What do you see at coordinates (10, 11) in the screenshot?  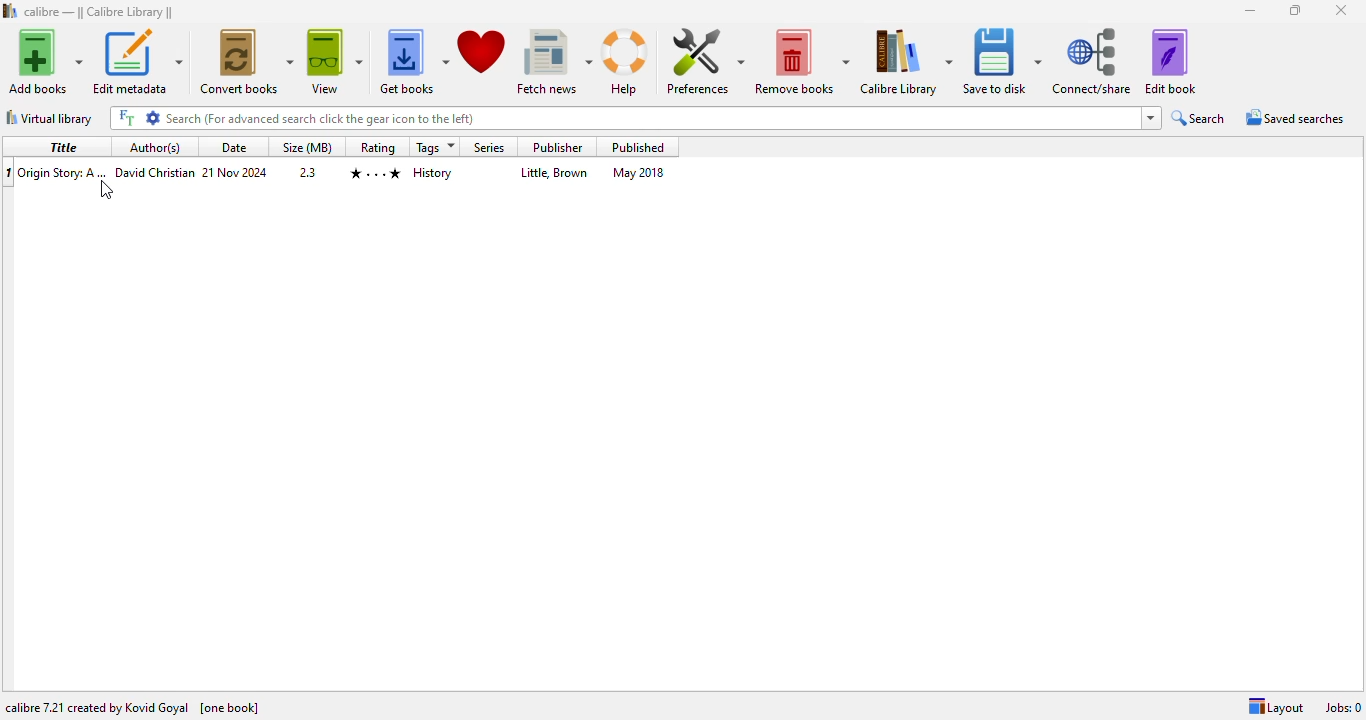 I see `logo` at bounding box center [10, 11].